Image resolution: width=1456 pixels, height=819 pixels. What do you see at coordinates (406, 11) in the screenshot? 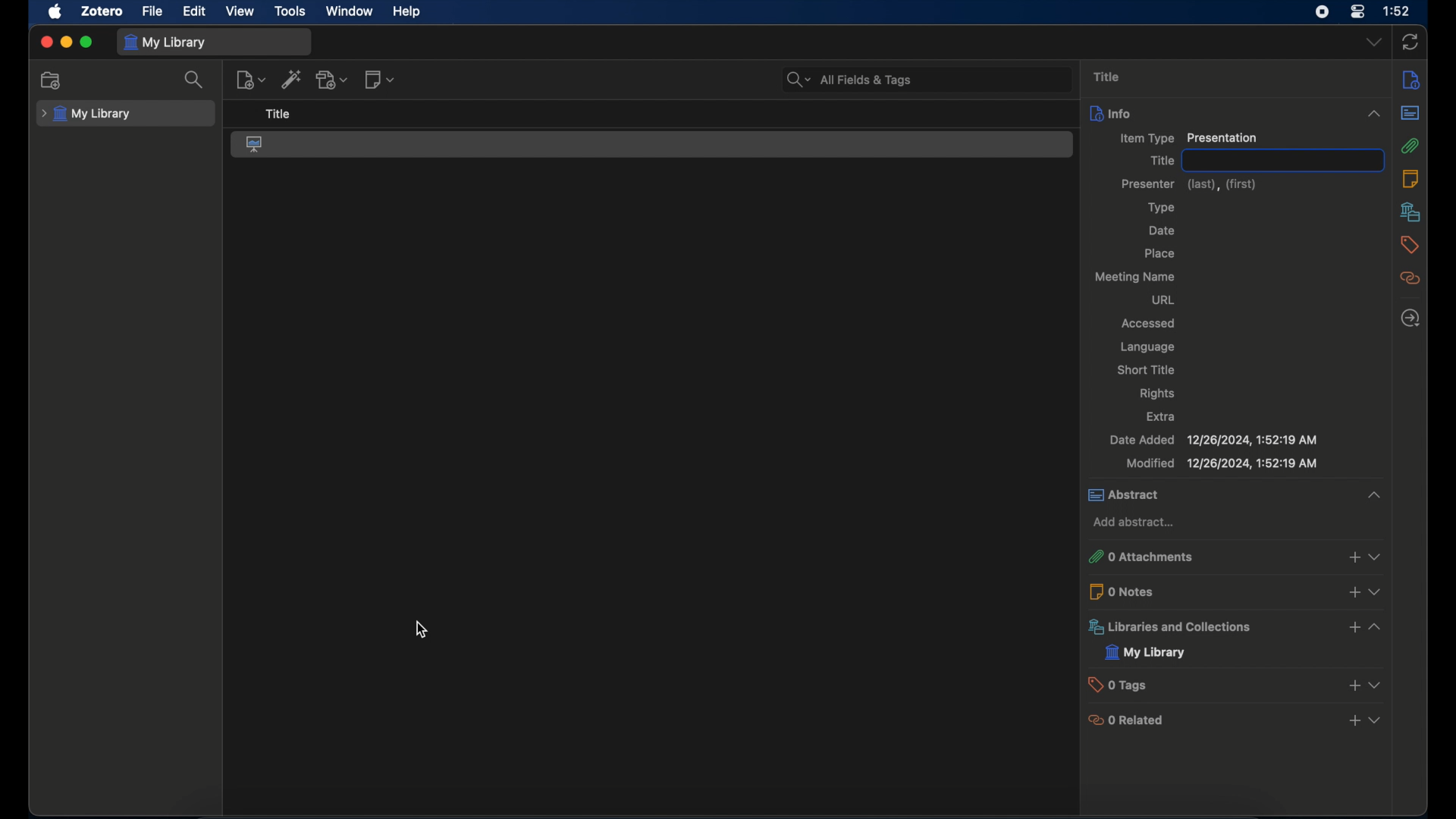
I see `help` at bounding box center [406, 11].